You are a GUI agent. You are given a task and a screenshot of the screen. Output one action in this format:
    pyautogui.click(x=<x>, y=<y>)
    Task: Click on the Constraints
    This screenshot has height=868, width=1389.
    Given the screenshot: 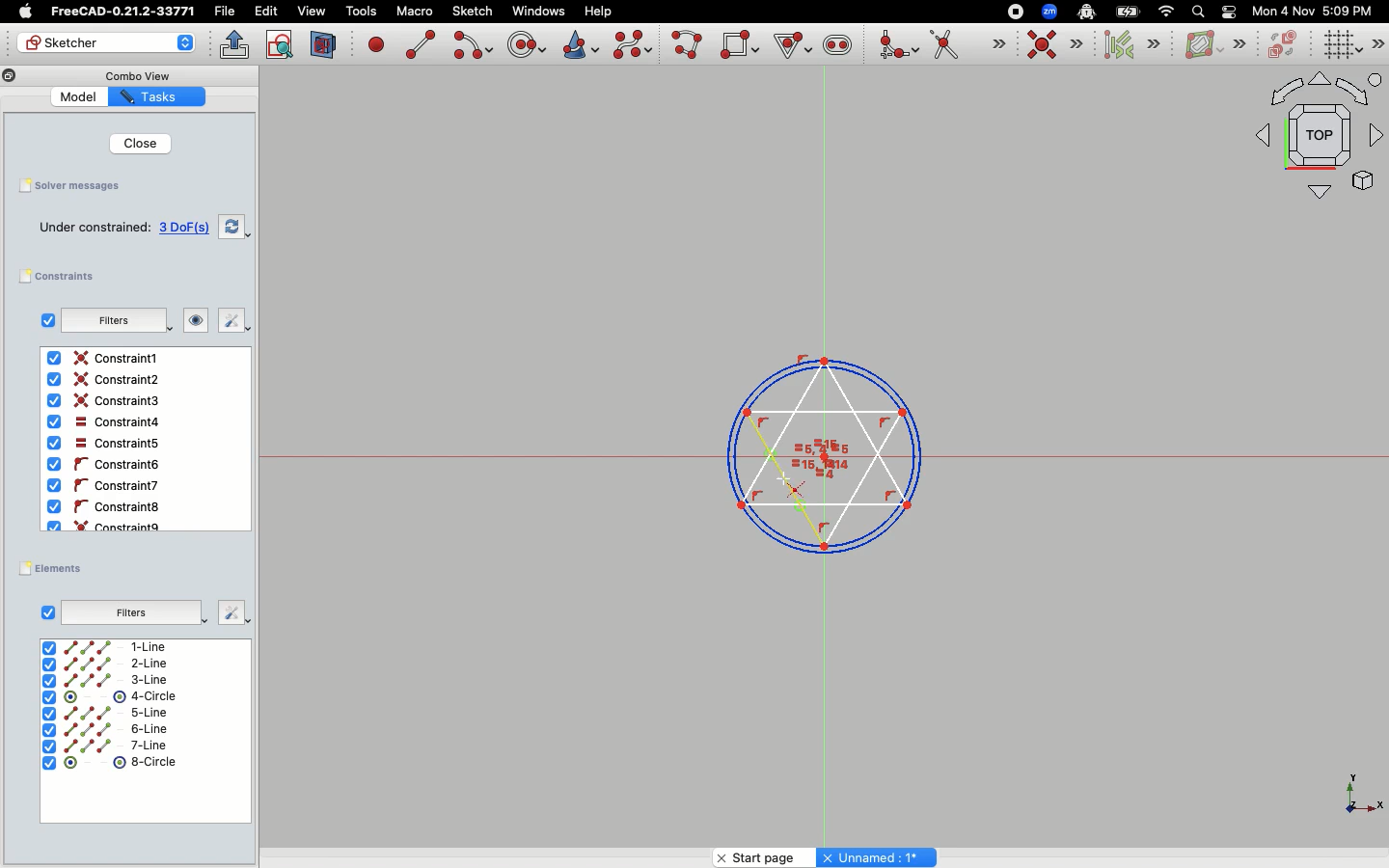 What is the action you would take?
    pyautogui.click(x=65, y=277)
    